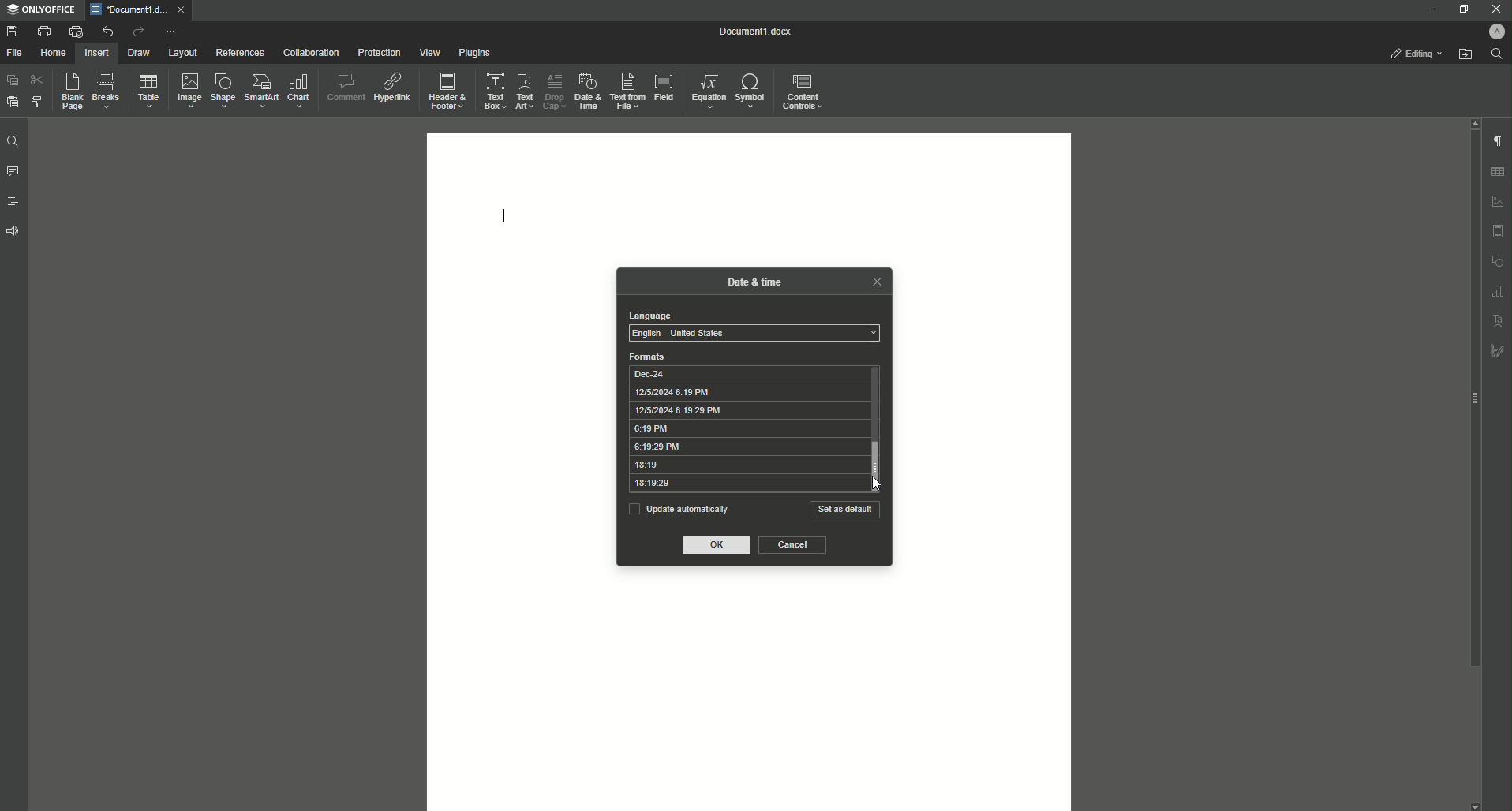 The height and width of the screenshot is (811, 1512). Describe the element at coordinates (13, 172) in the screenshot. I see `Comments` at that location.